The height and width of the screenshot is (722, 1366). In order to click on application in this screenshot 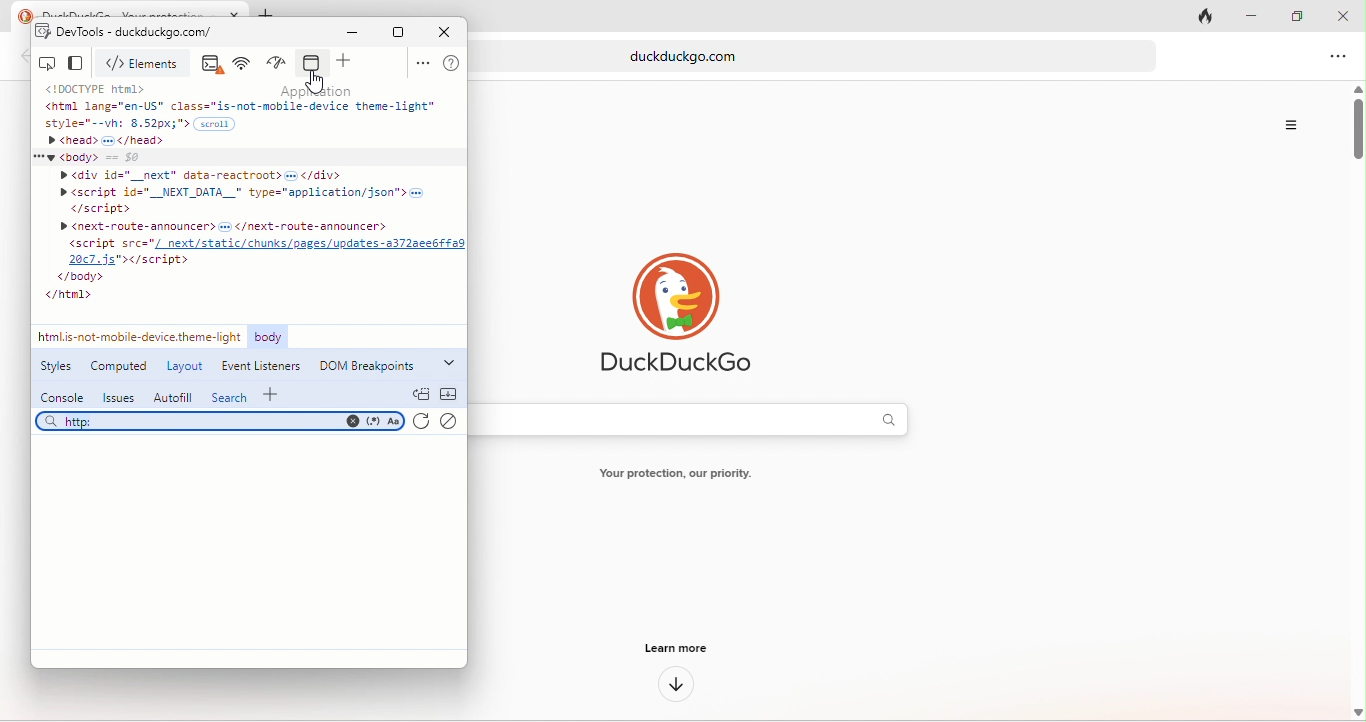, I will do `click(316, 65)`.